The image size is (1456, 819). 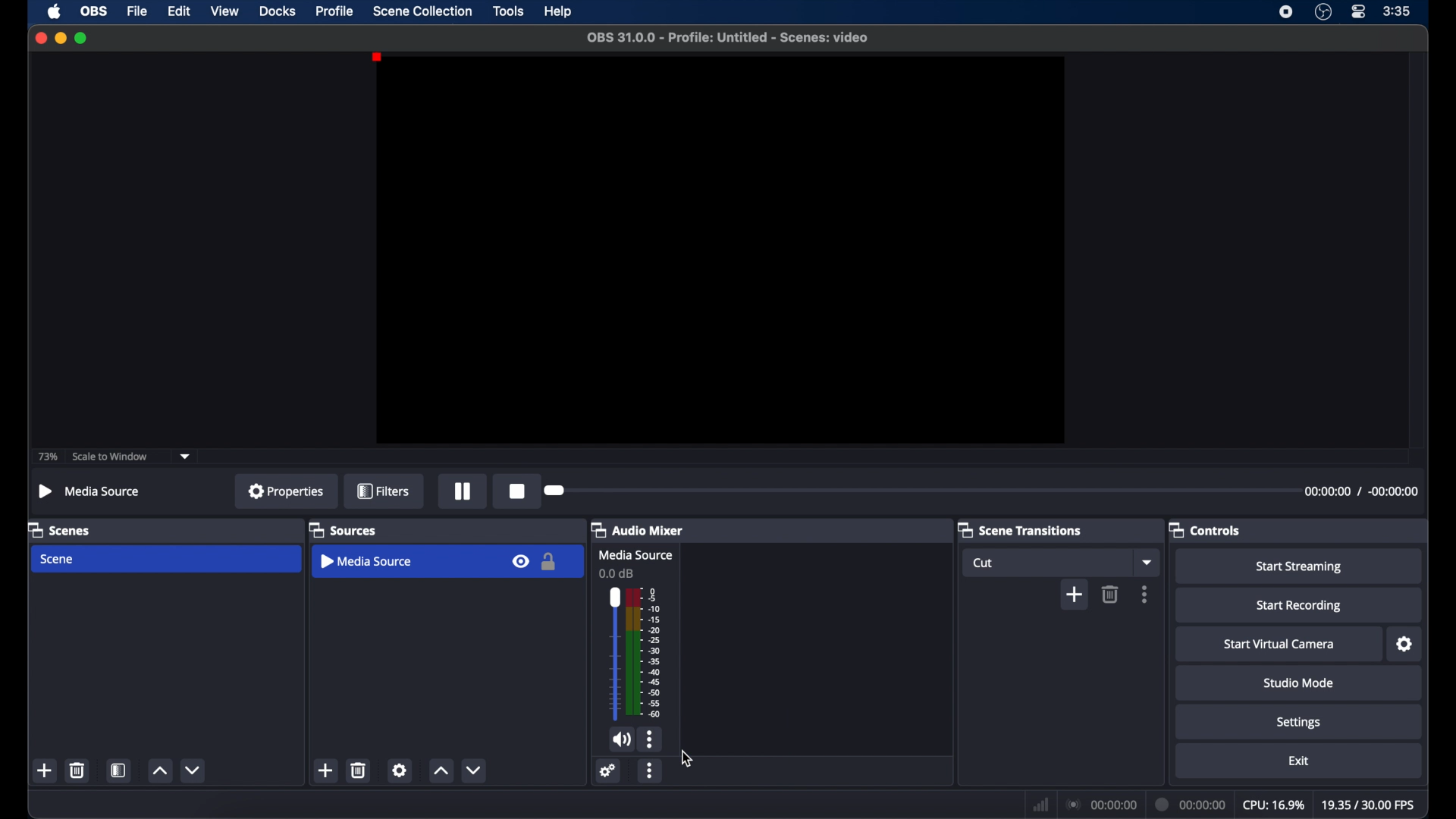 I want to click on docks, so click(x=278, y=11).